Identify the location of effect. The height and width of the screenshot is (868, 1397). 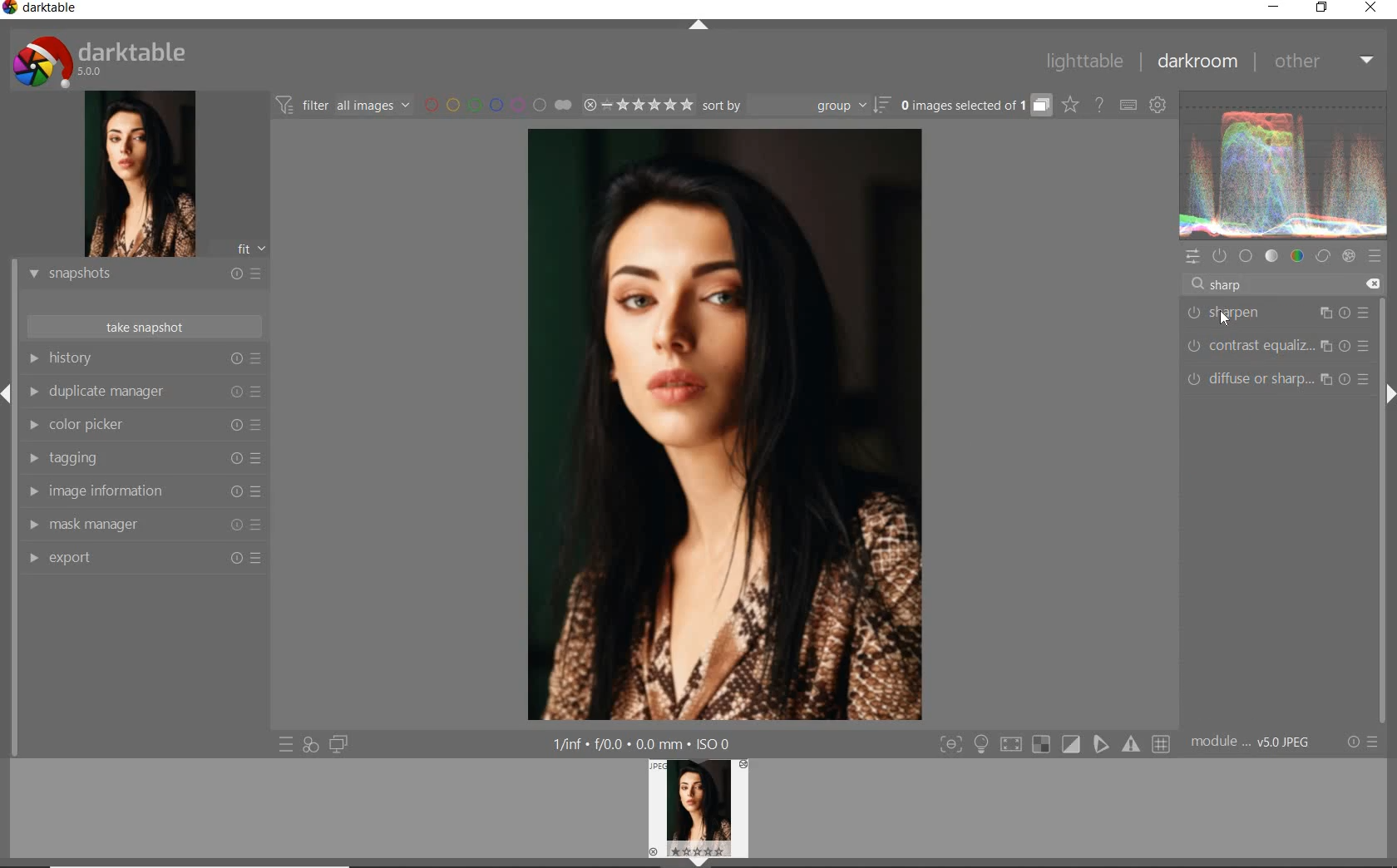
(1349, 258).